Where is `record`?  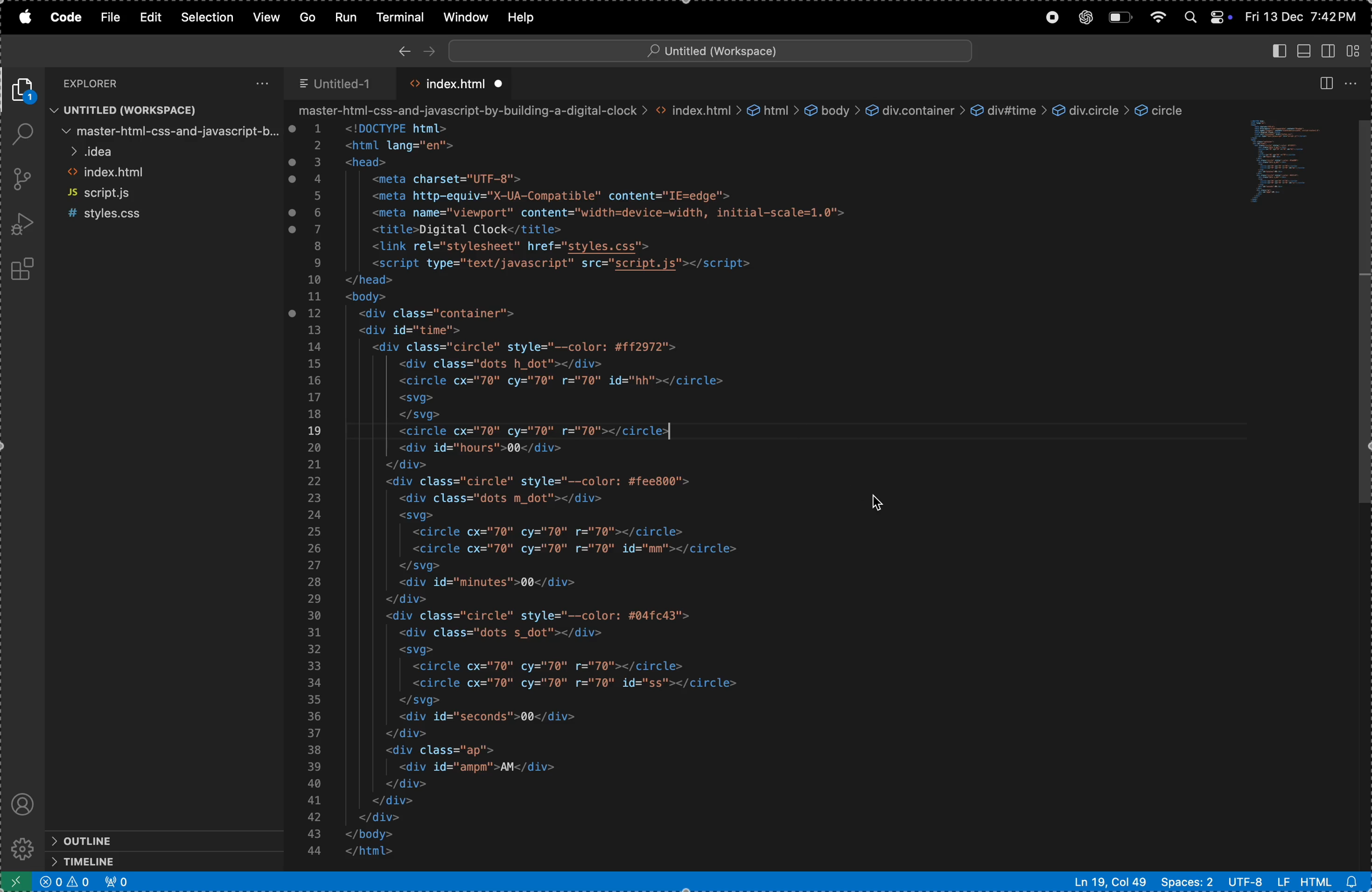 record is located at coordinates (1050, 18).